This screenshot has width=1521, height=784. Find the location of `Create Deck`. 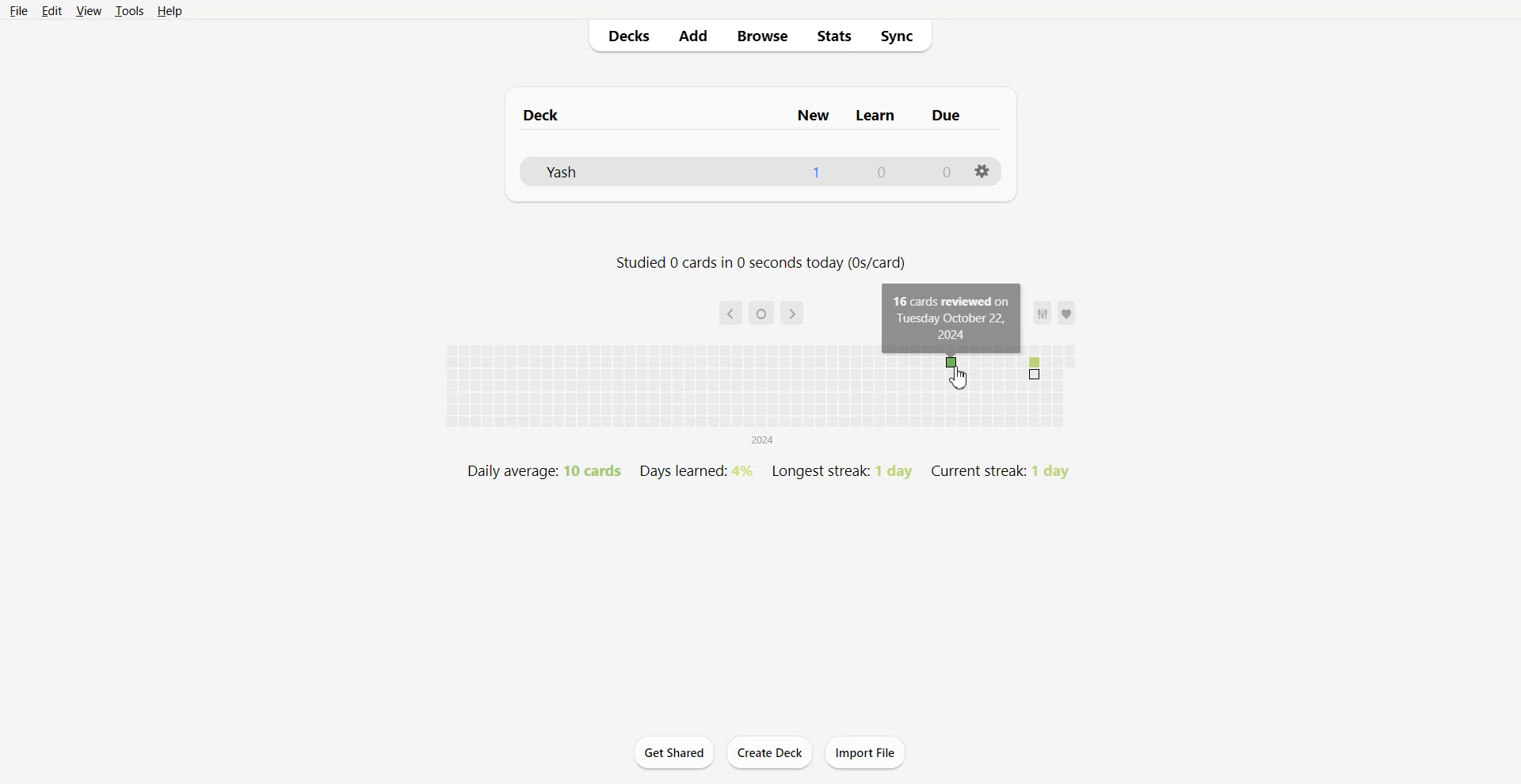

Create Deck is located at coordinates (769, 752).